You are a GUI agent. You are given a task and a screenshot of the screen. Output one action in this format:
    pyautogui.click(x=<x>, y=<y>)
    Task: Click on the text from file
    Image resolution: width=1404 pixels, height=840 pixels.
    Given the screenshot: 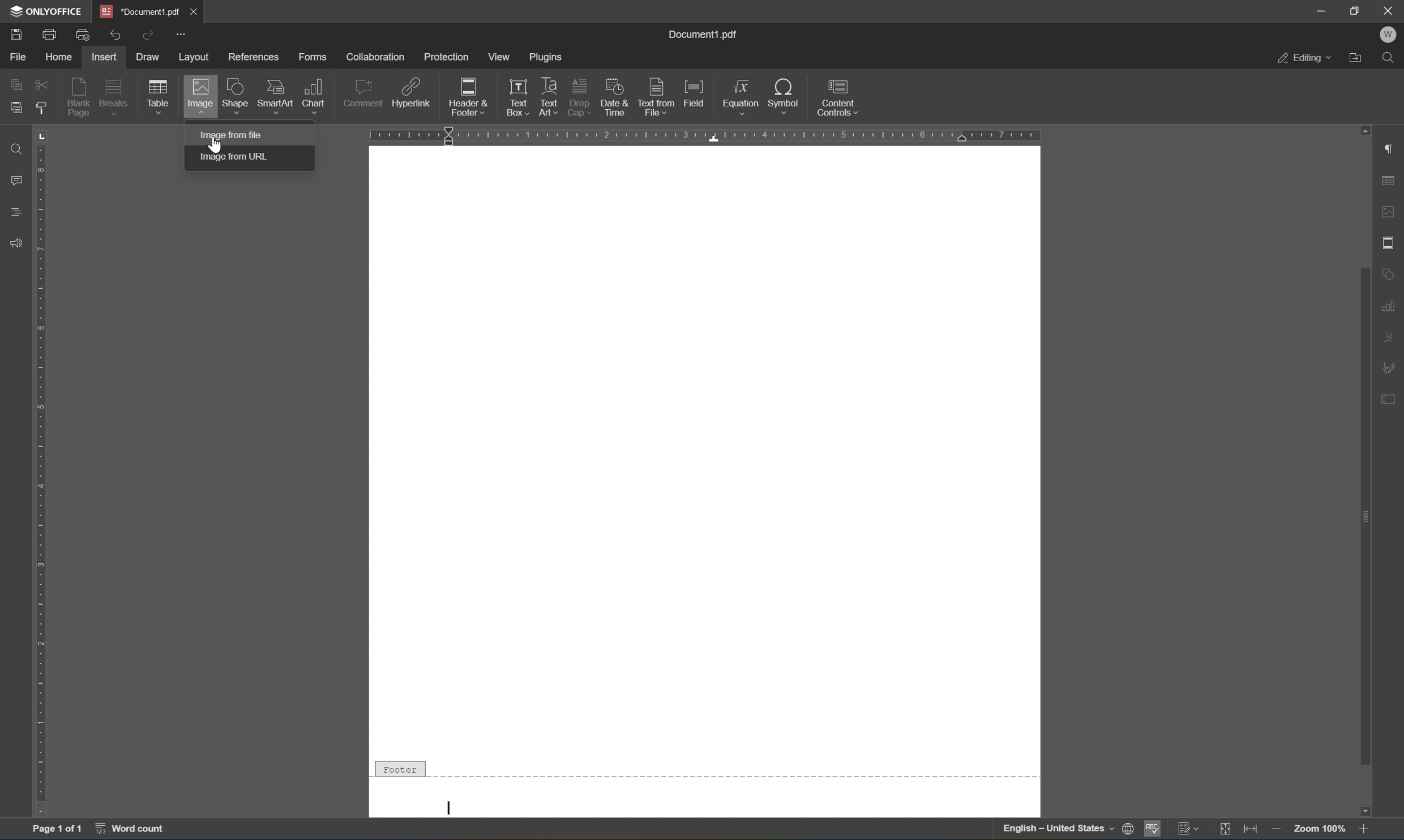 What is the action you would take?
    pyautogui.click(x=657, y=96)
    